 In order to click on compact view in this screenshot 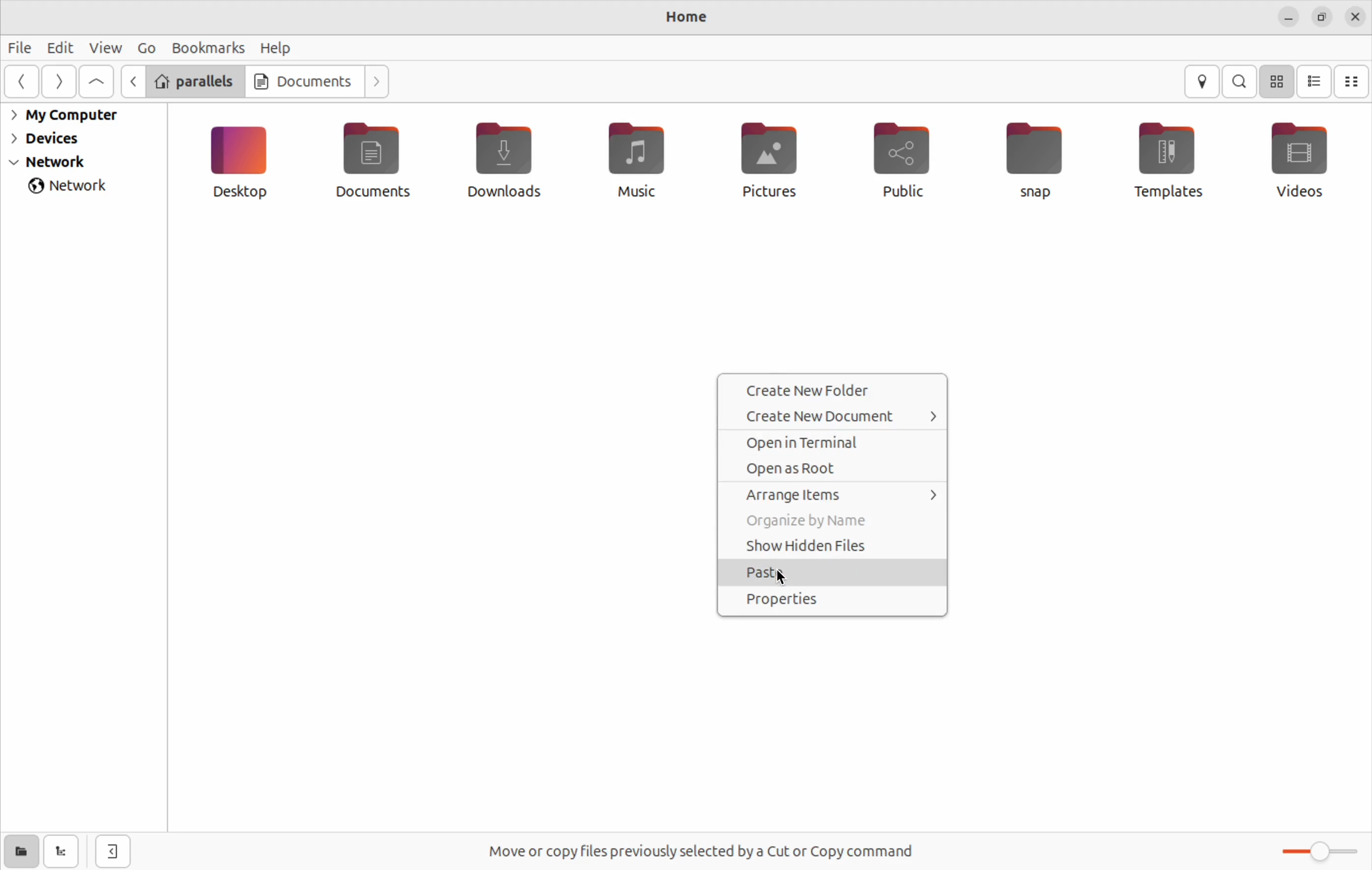, I will do `click(1354, 81)`.